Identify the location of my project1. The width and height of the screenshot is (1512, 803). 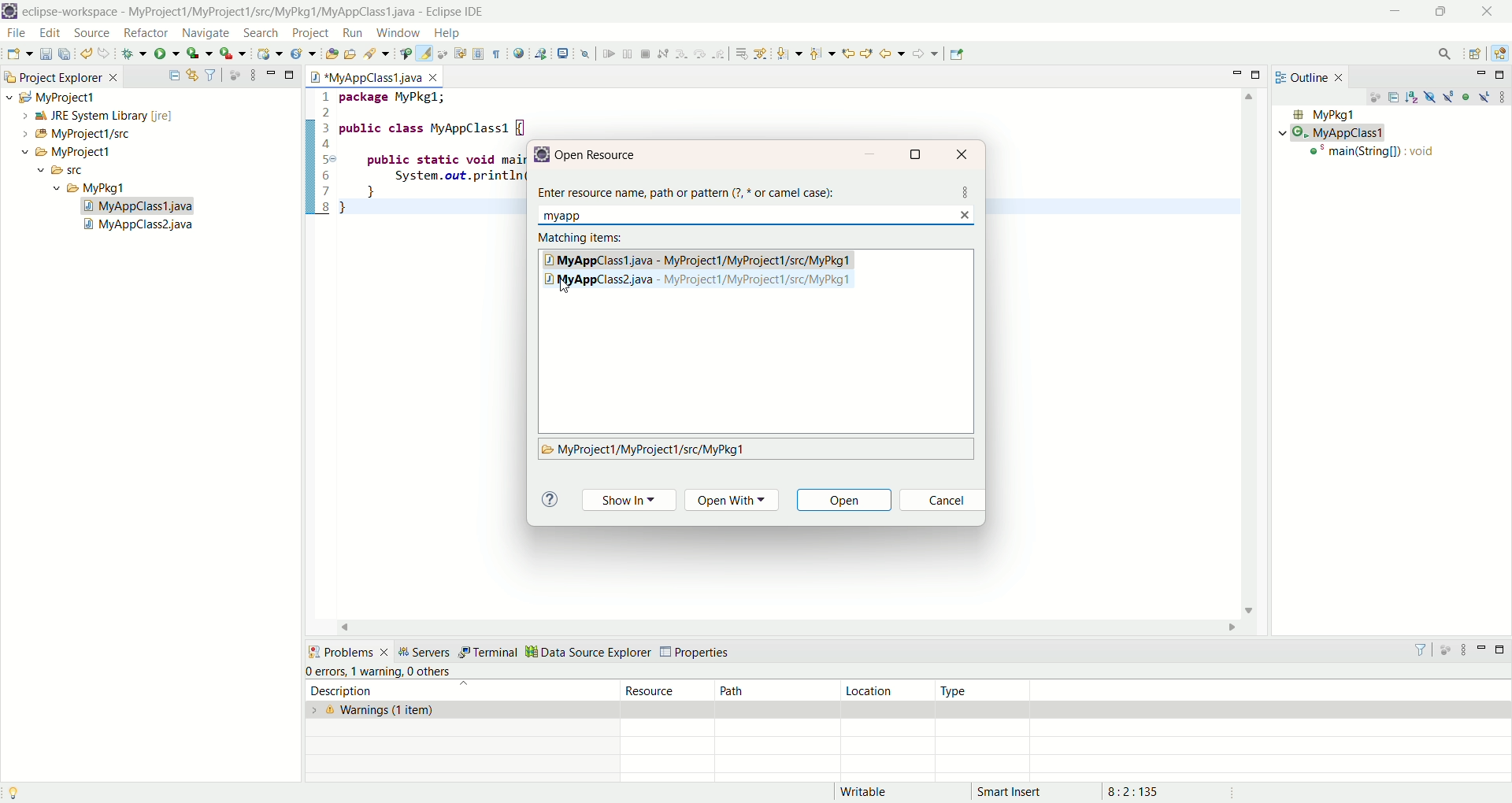
(49, 97).